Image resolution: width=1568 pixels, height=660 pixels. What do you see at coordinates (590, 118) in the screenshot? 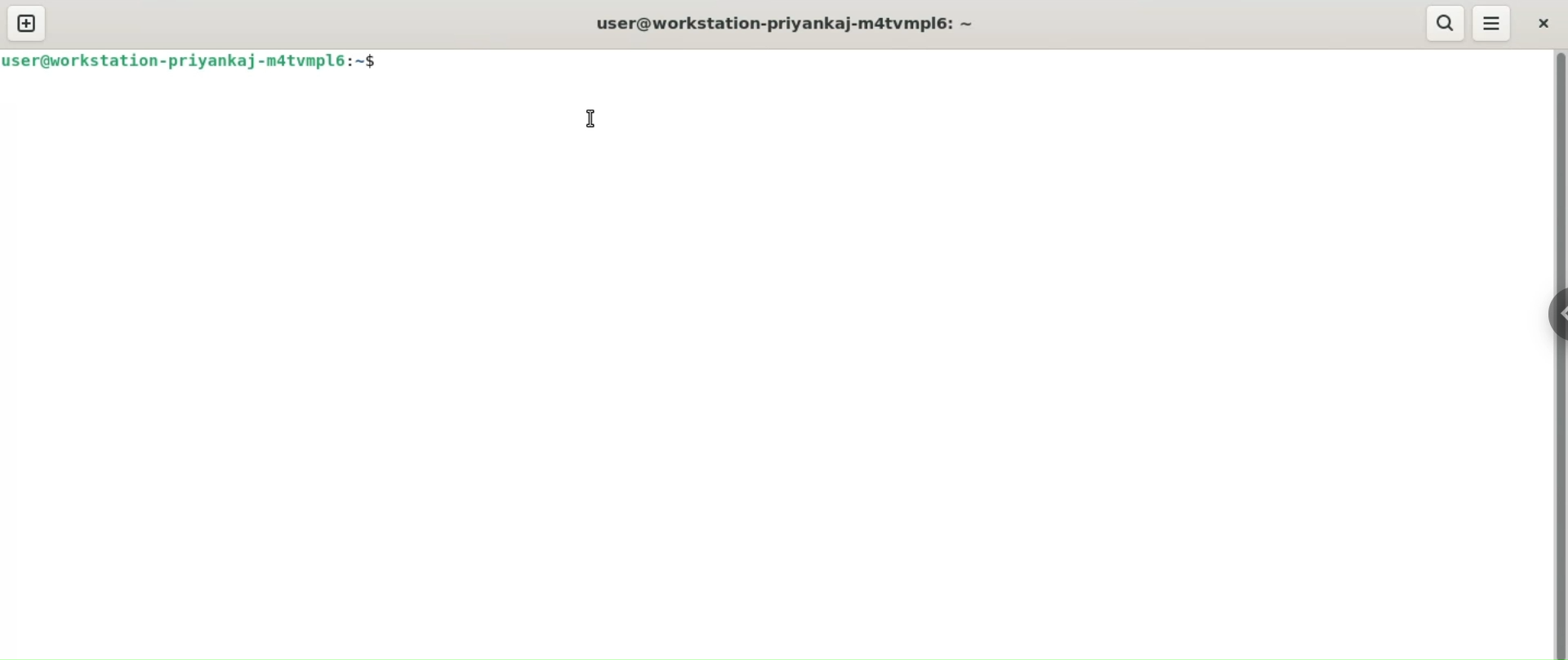
I see `cursor` at bounding box center [590, 118].